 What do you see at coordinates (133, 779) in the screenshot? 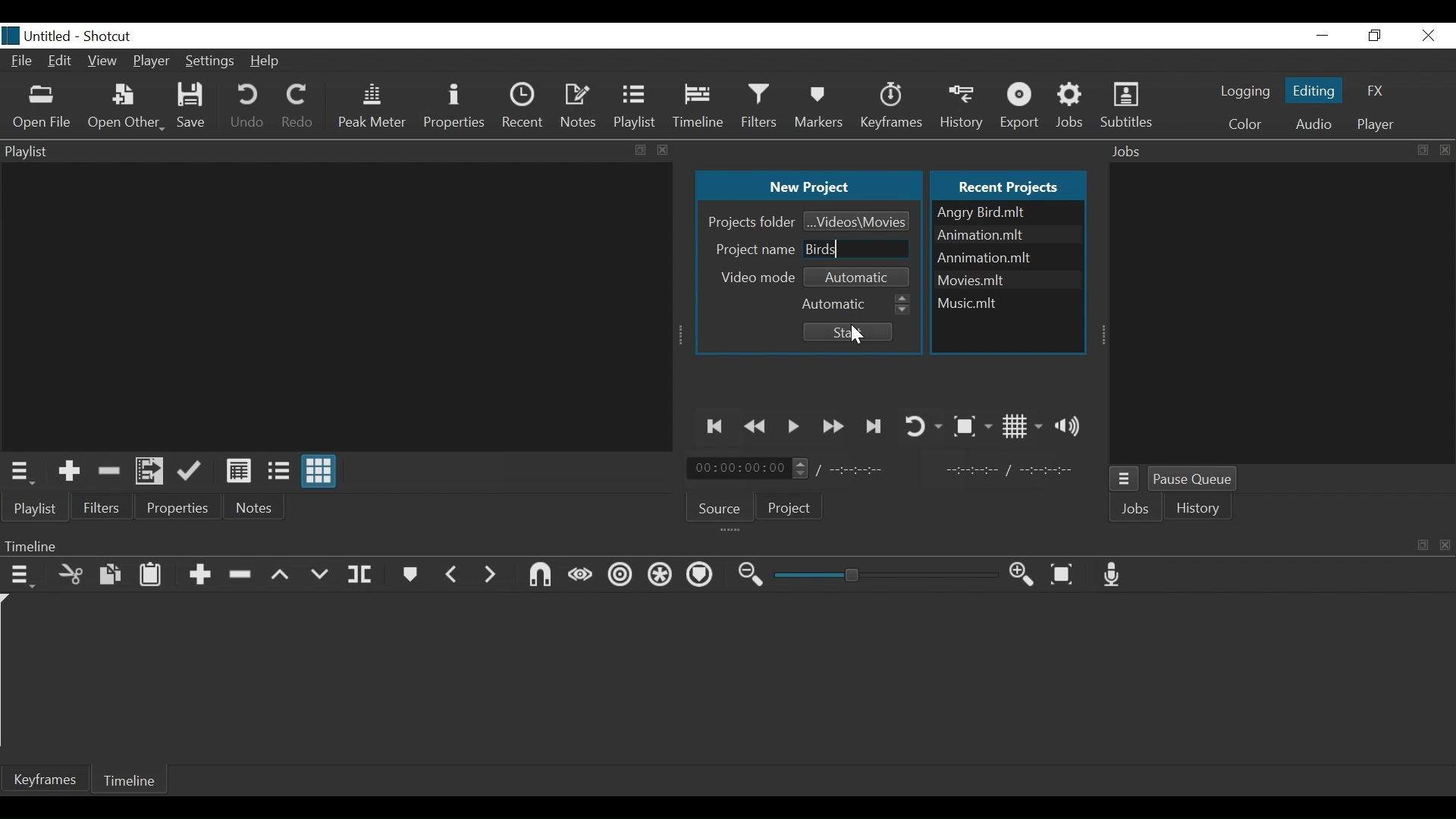
I see `Timeline` at bounding box center [133, 779].